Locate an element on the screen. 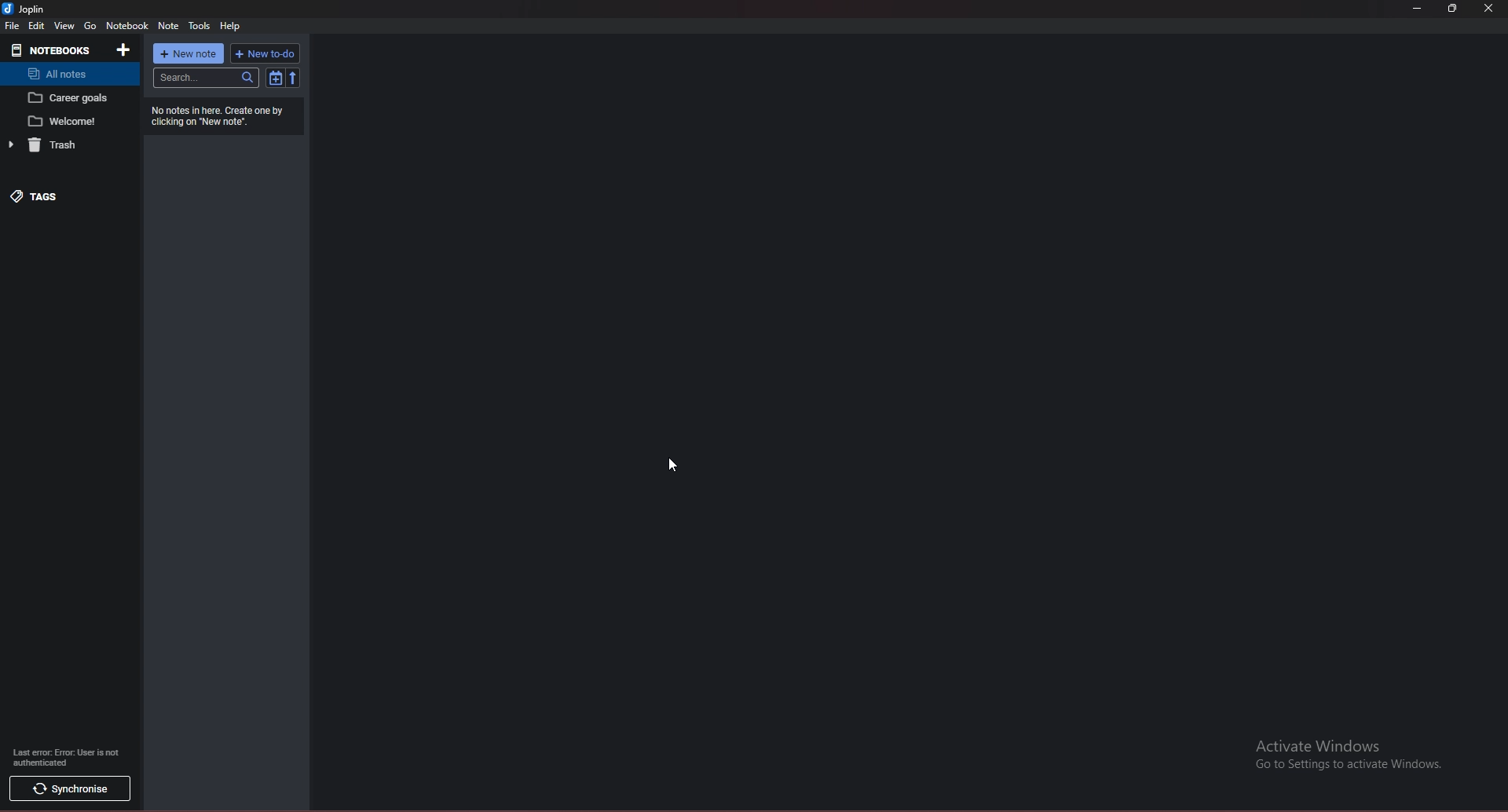 This screenshot has width=1508, height=812. all notes is located at coordinates (66, 74).